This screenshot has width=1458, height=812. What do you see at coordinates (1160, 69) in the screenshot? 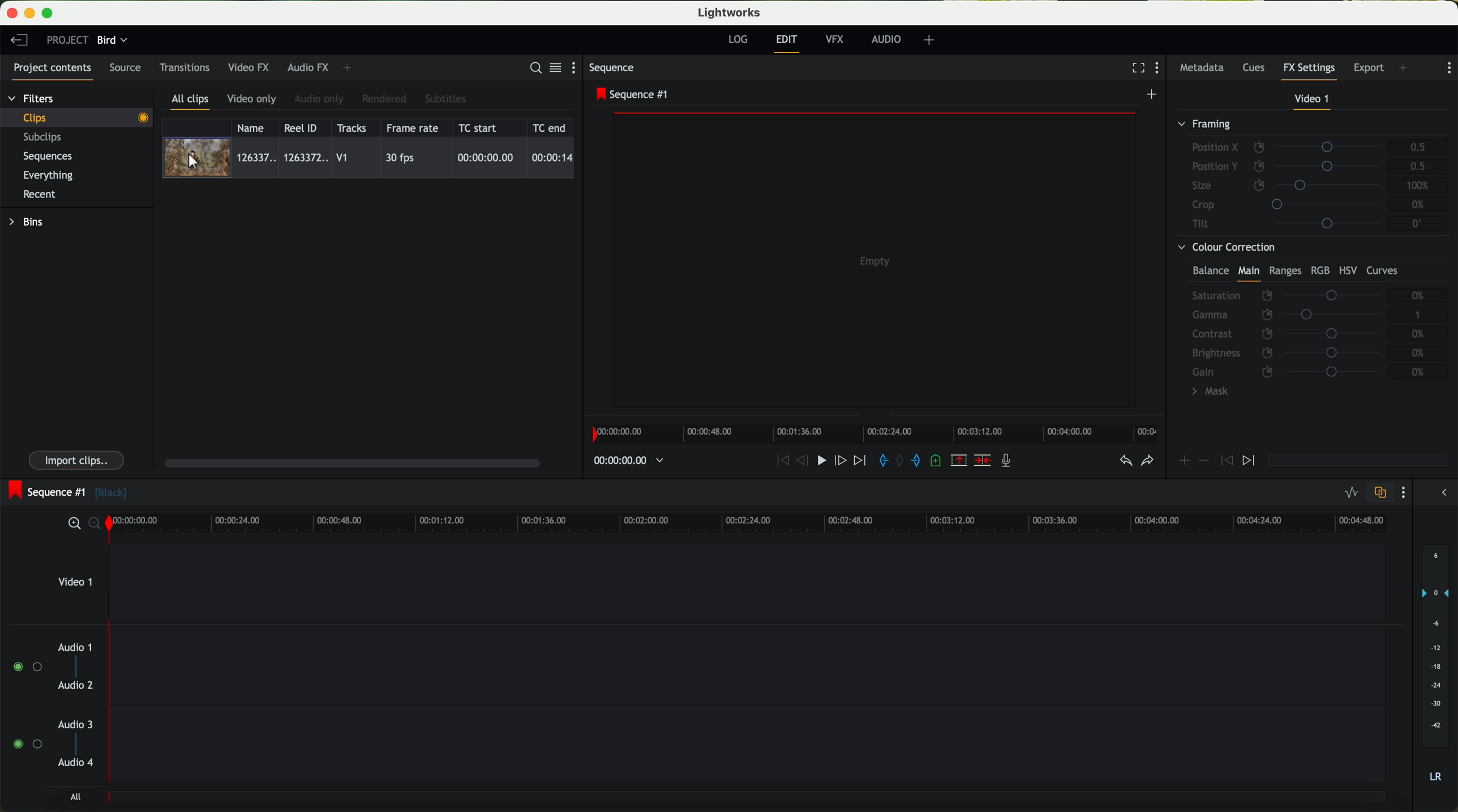
I see `show settings menu` at bounding box center [1160, 69].